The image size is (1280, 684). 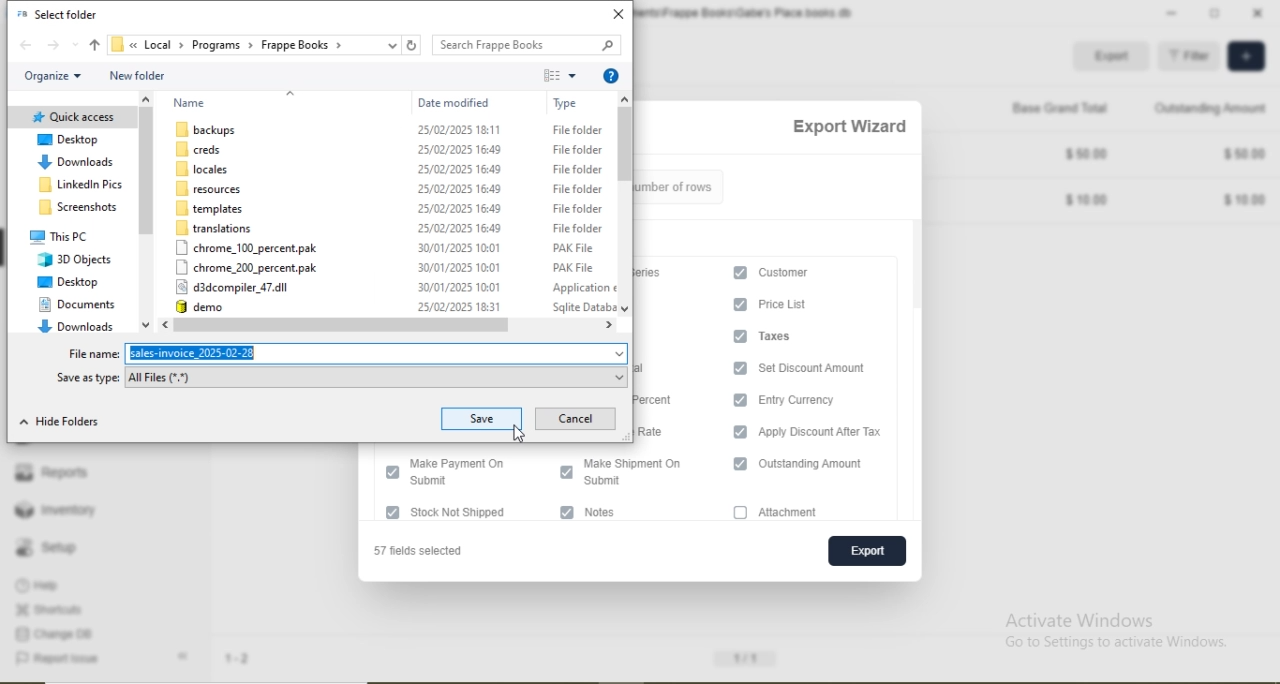 What do you see at coordinates (251, 248) in the screenshot?
I see `chrome_100_percent.pak` at bounding box center [251, 248].